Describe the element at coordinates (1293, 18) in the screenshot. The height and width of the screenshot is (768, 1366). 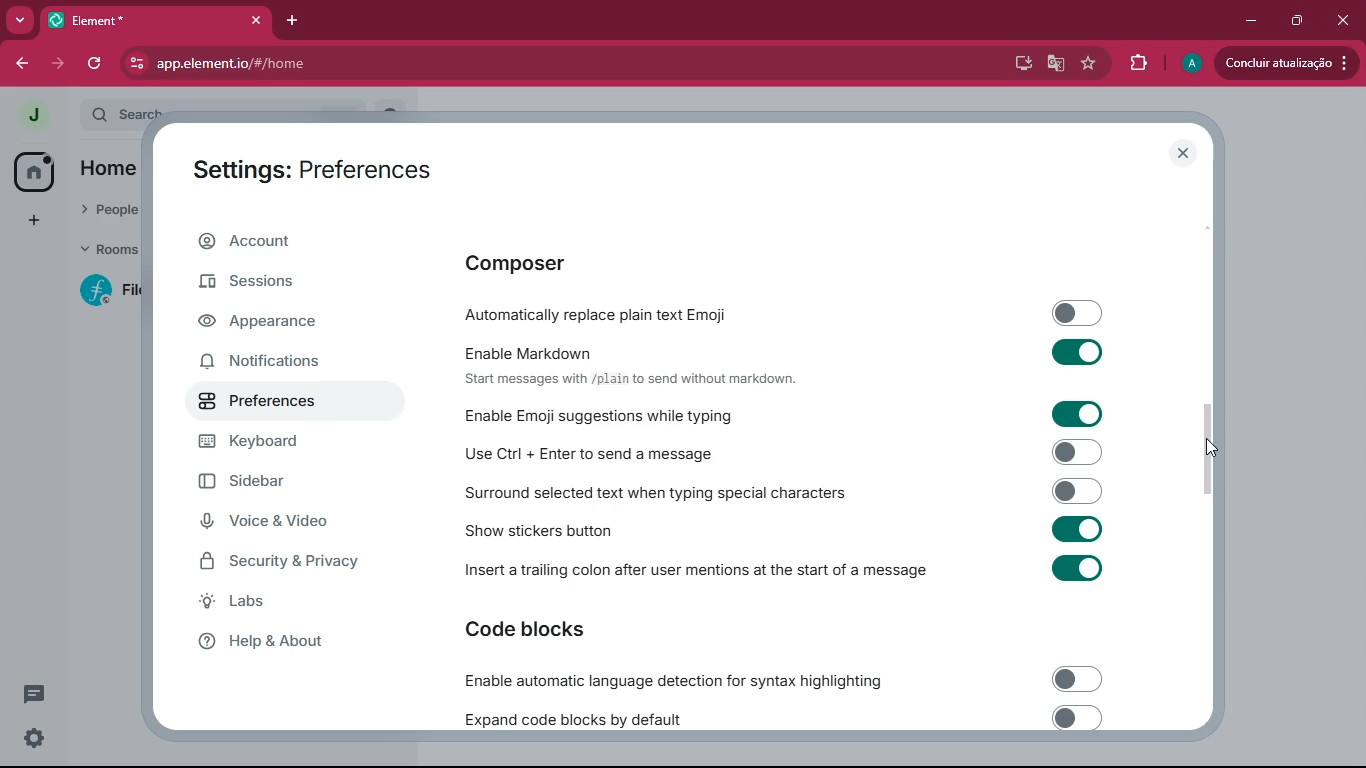
I see `maximize` at that location.